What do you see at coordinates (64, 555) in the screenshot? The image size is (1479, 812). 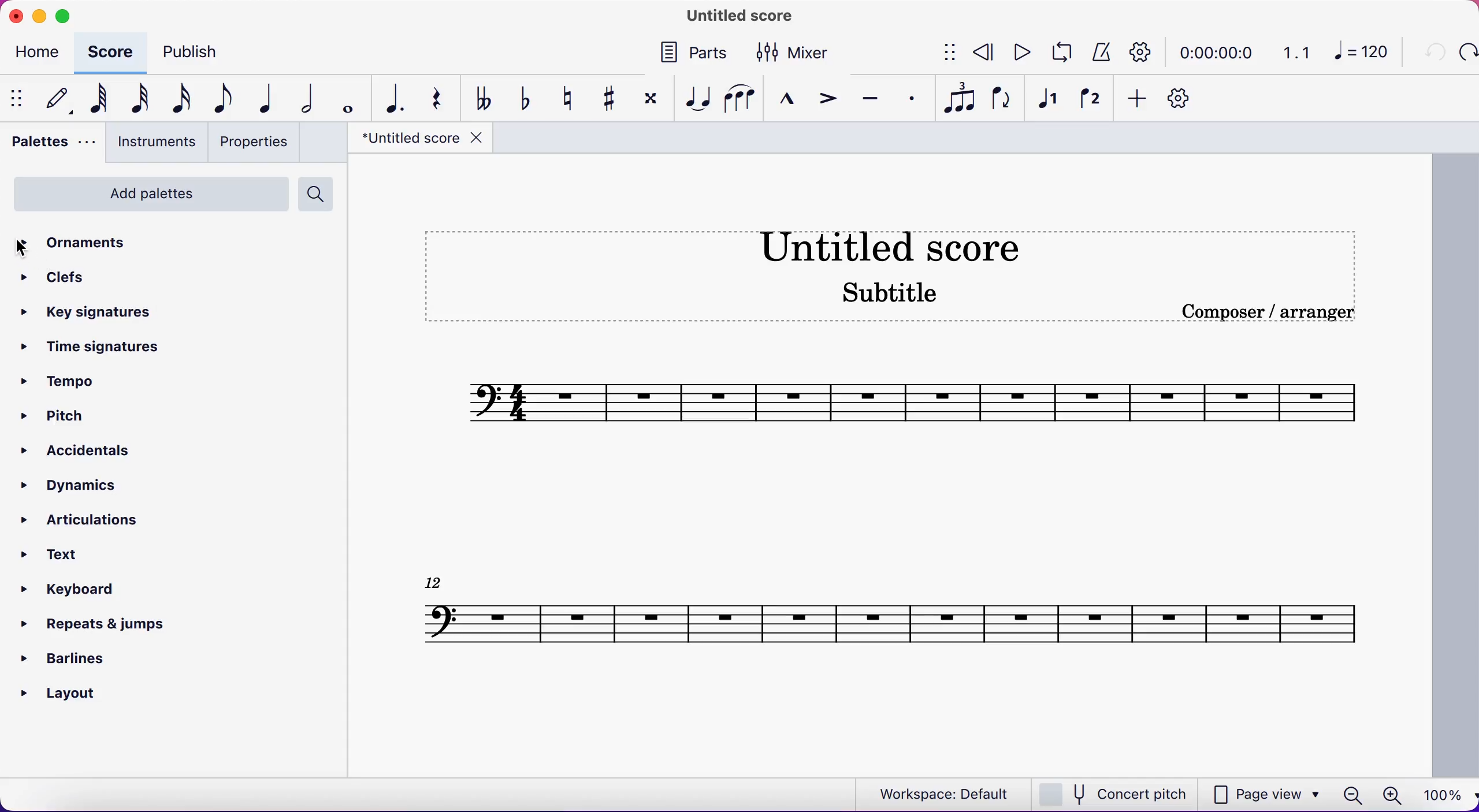 I see `text` at bounding box center [64, 555].